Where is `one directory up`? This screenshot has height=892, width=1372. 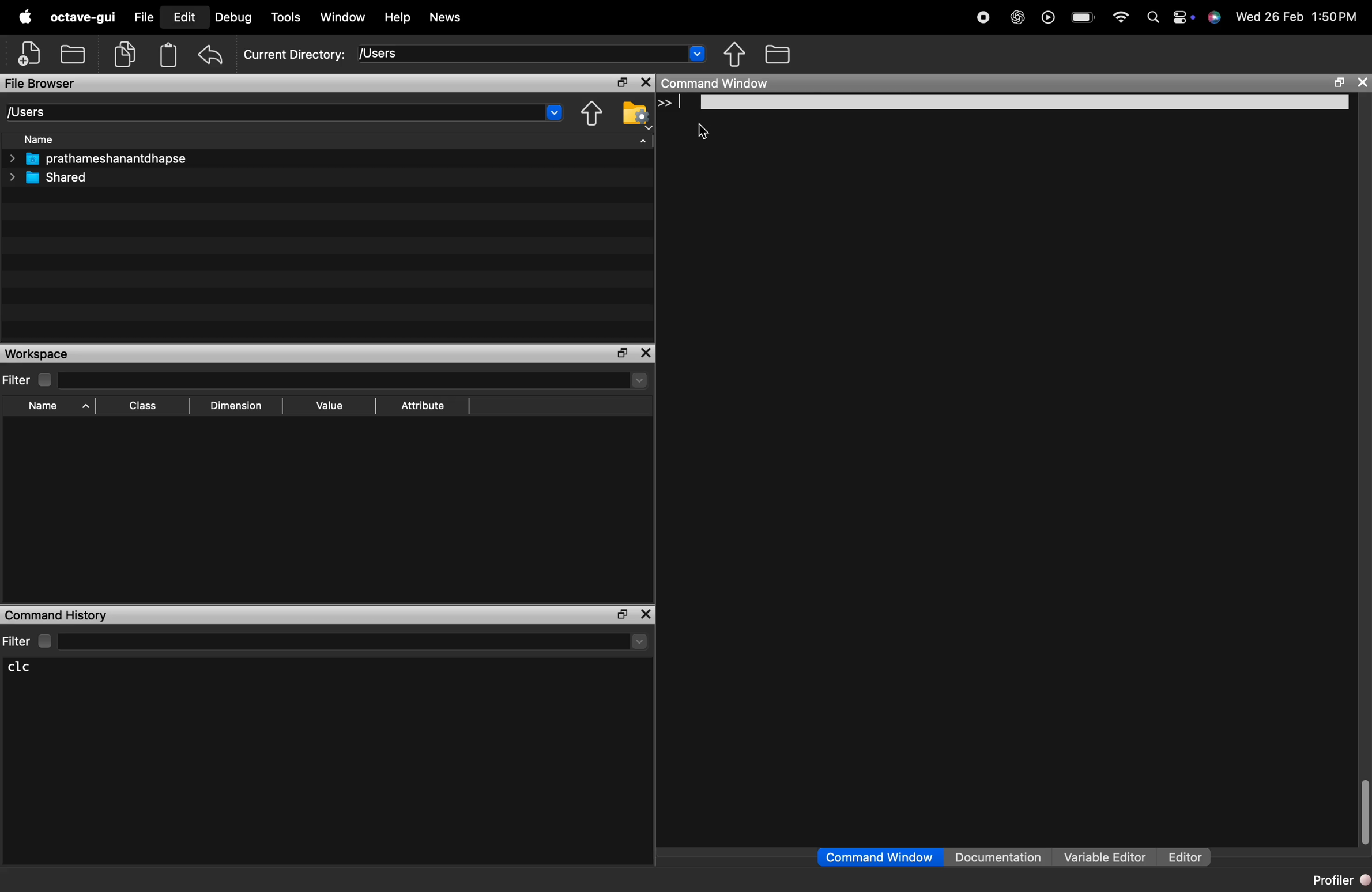
one directory up is located at coordinates (738, 55).